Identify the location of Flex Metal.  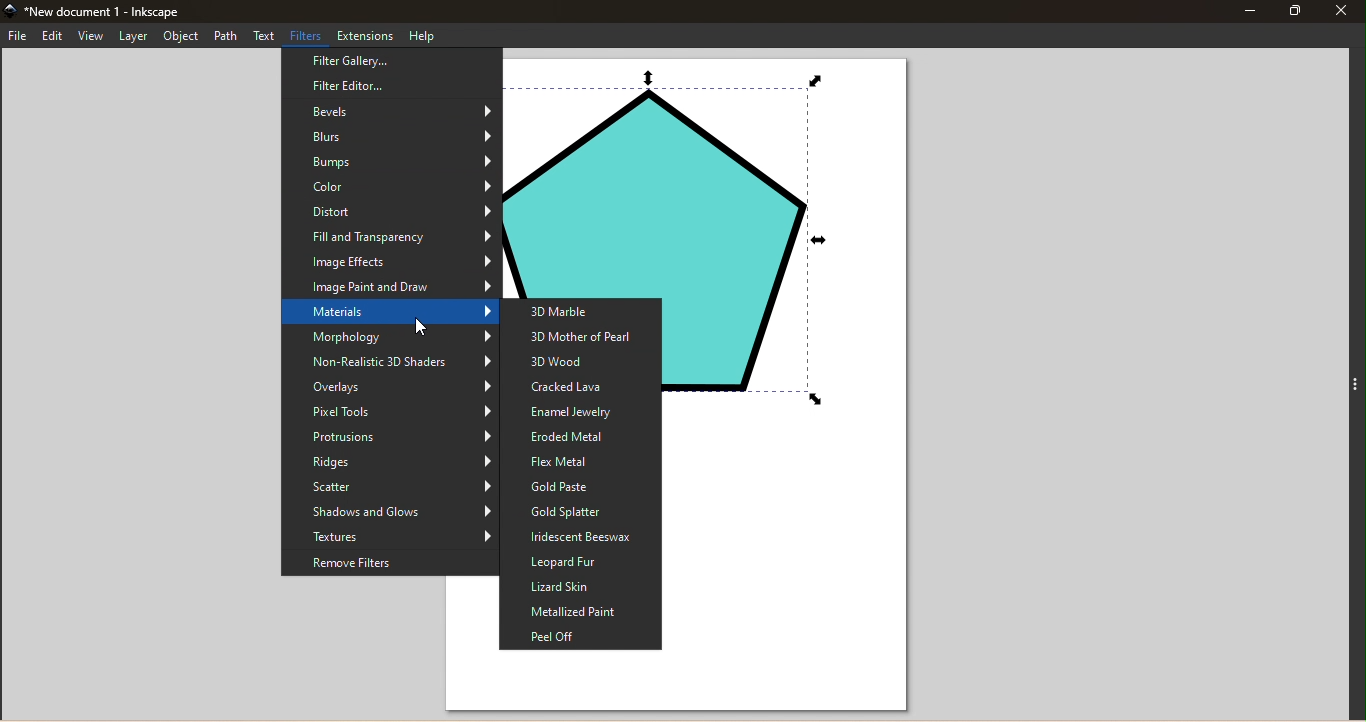
(581, 461).